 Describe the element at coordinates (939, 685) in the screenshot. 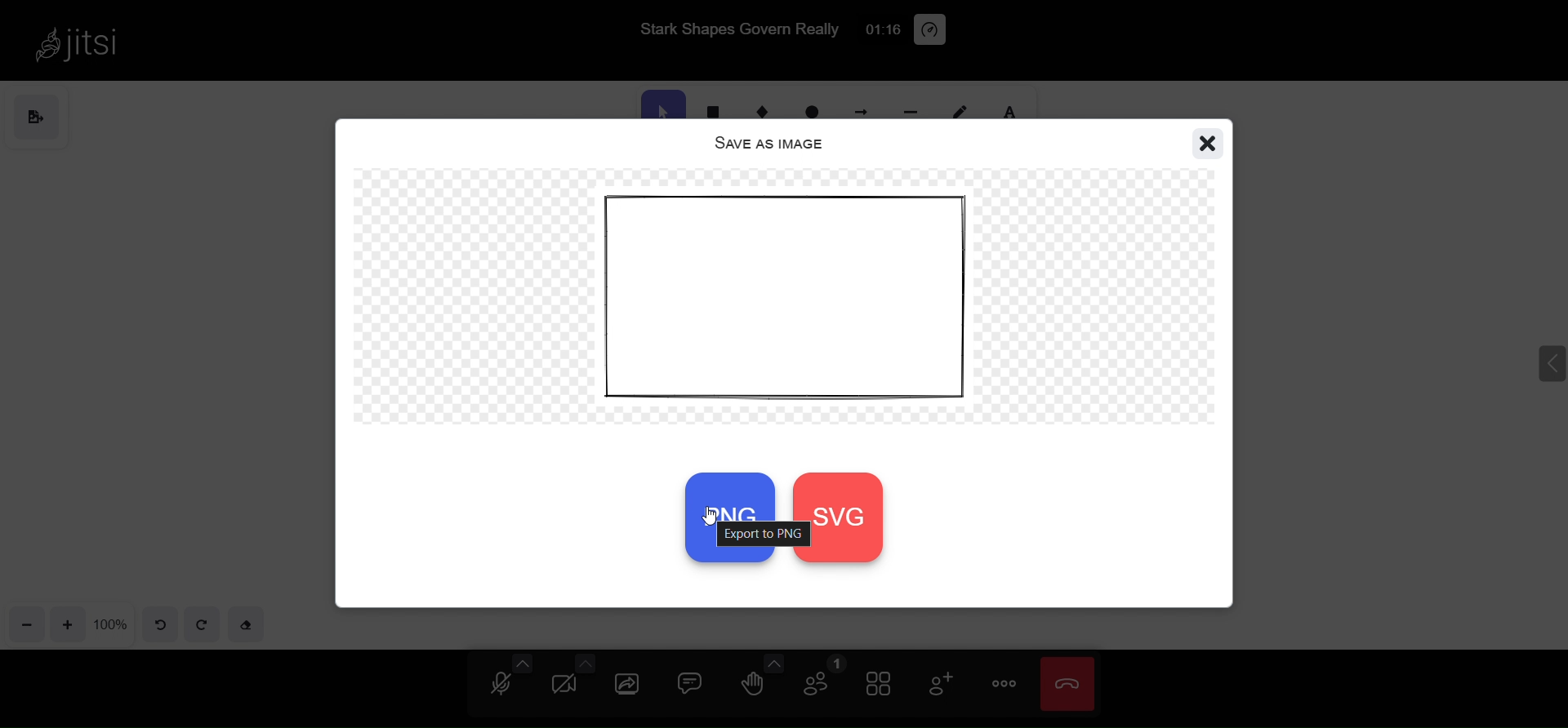

I see `invite people` at that location.